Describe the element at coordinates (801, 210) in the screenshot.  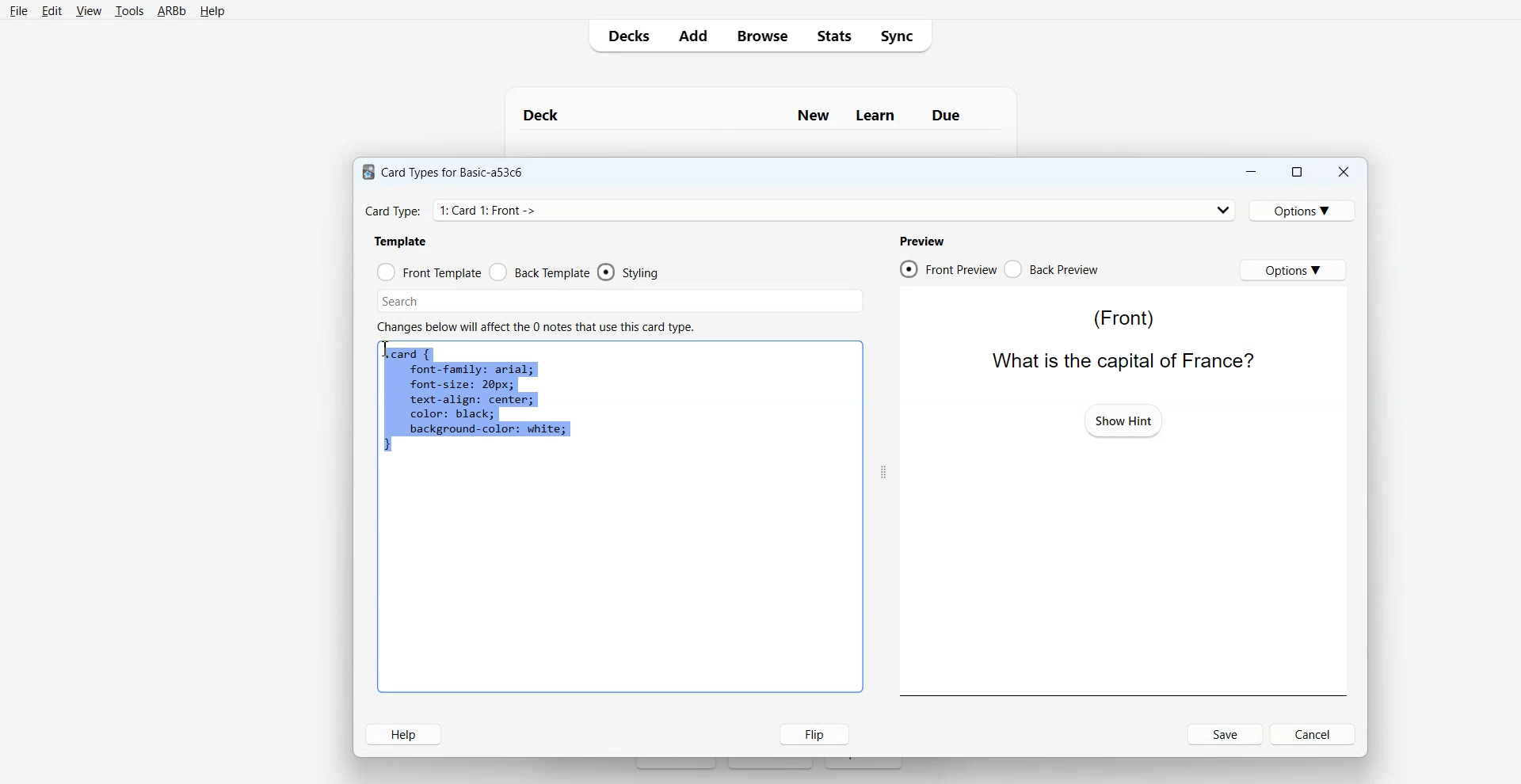
I see `Card Type` at that location.